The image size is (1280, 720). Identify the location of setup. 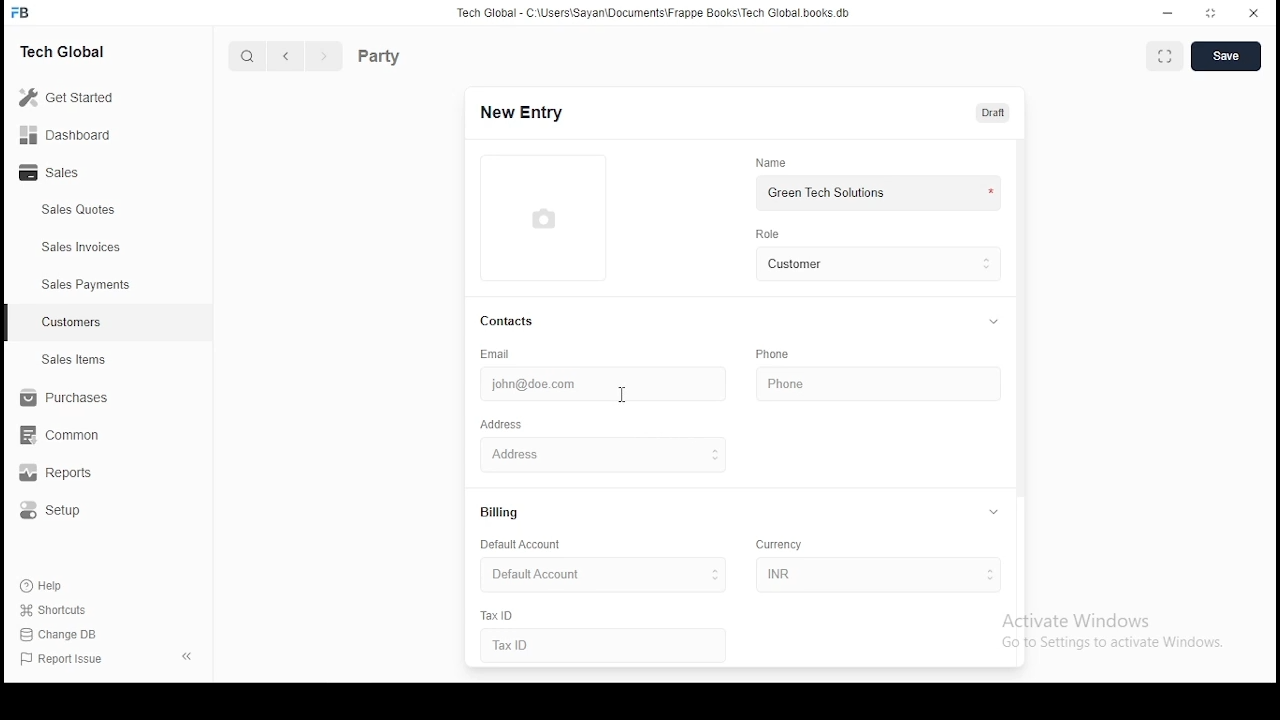
(58, 513).